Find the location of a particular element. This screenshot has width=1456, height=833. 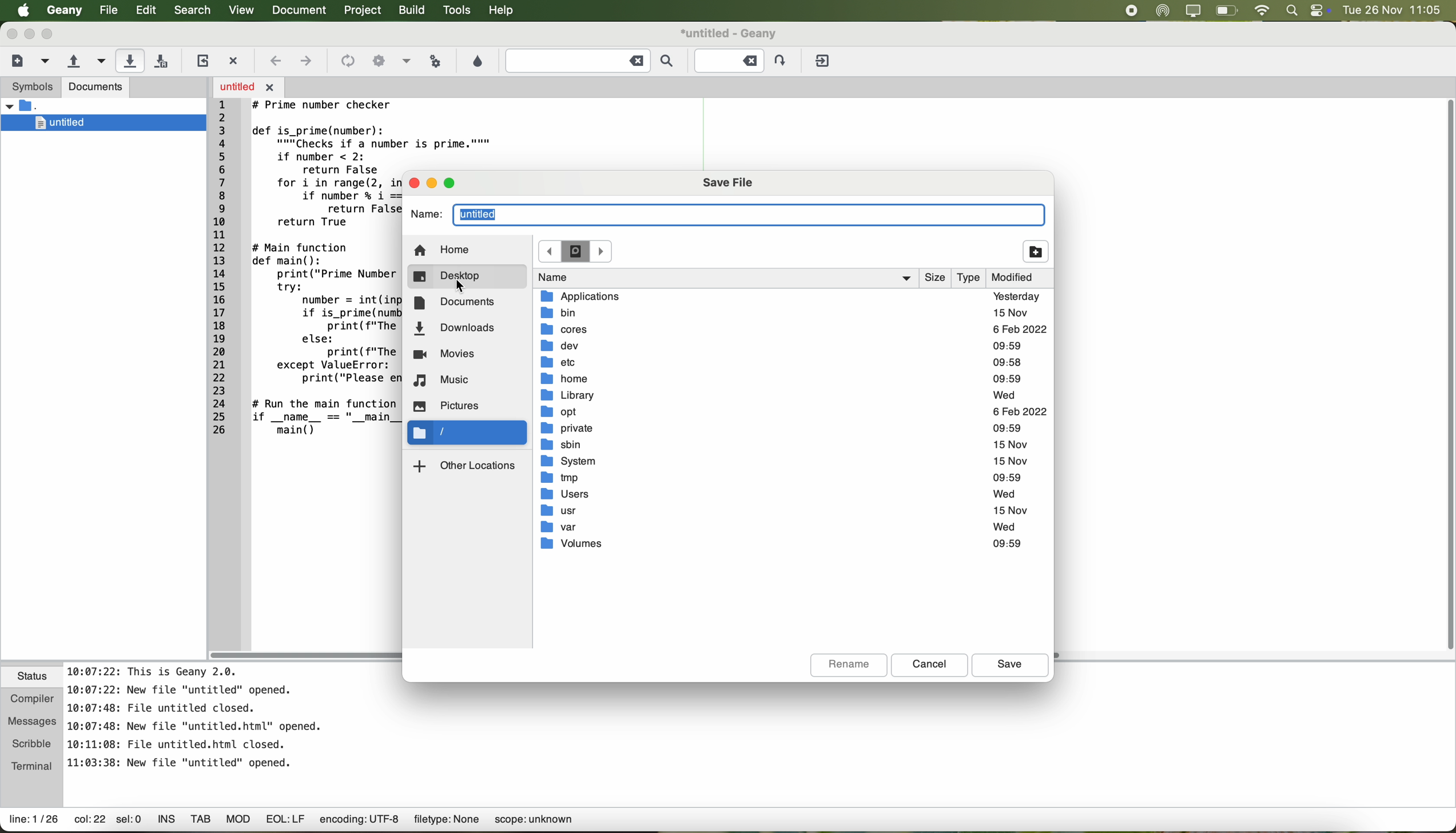

Jump to the entered line number is located at coordinates (742, 59).